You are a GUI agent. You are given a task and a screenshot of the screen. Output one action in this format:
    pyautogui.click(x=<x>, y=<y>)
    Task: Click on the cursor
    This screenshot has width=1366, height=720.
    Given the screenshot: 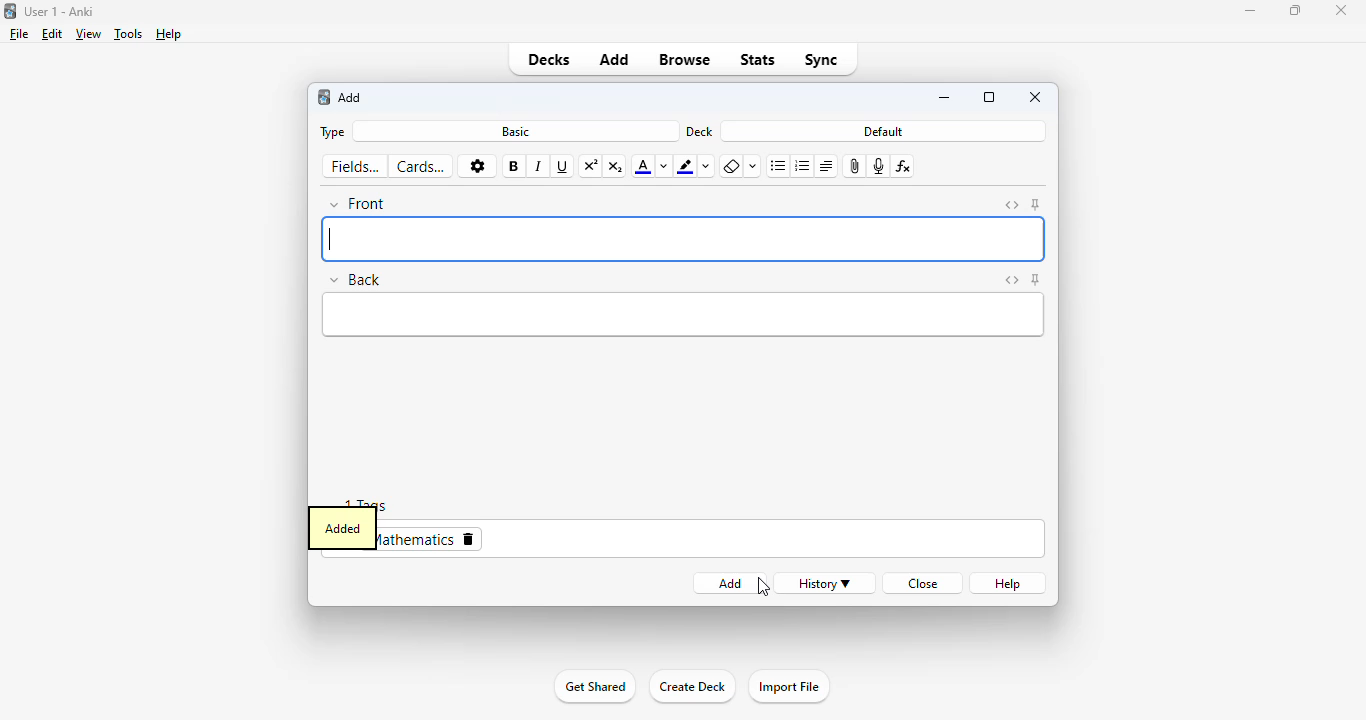 What is the action you would take?
    pyautogui.click(x=763, y=587)
    